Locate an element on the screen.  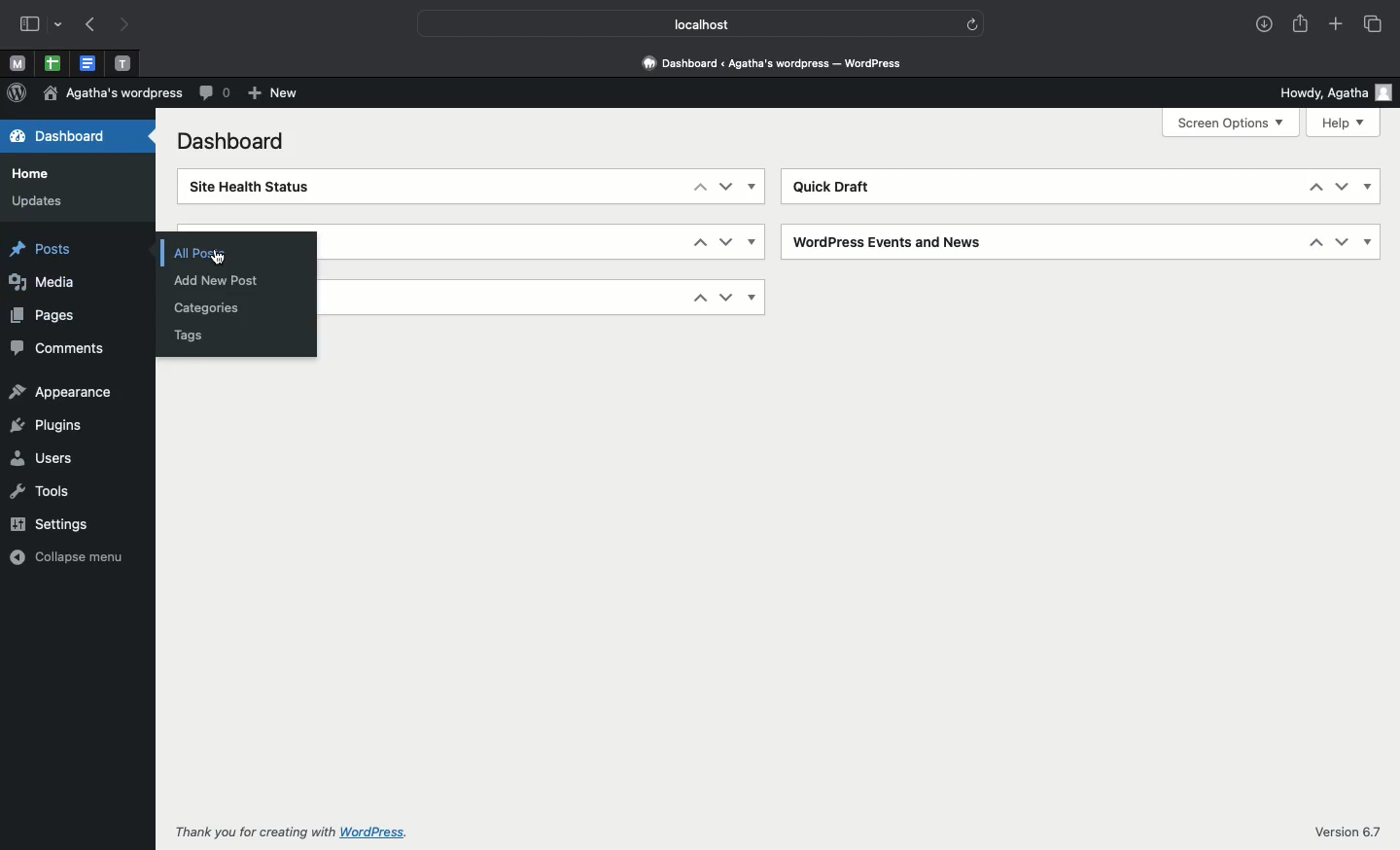
Local host is located at coordinates (686, 21).